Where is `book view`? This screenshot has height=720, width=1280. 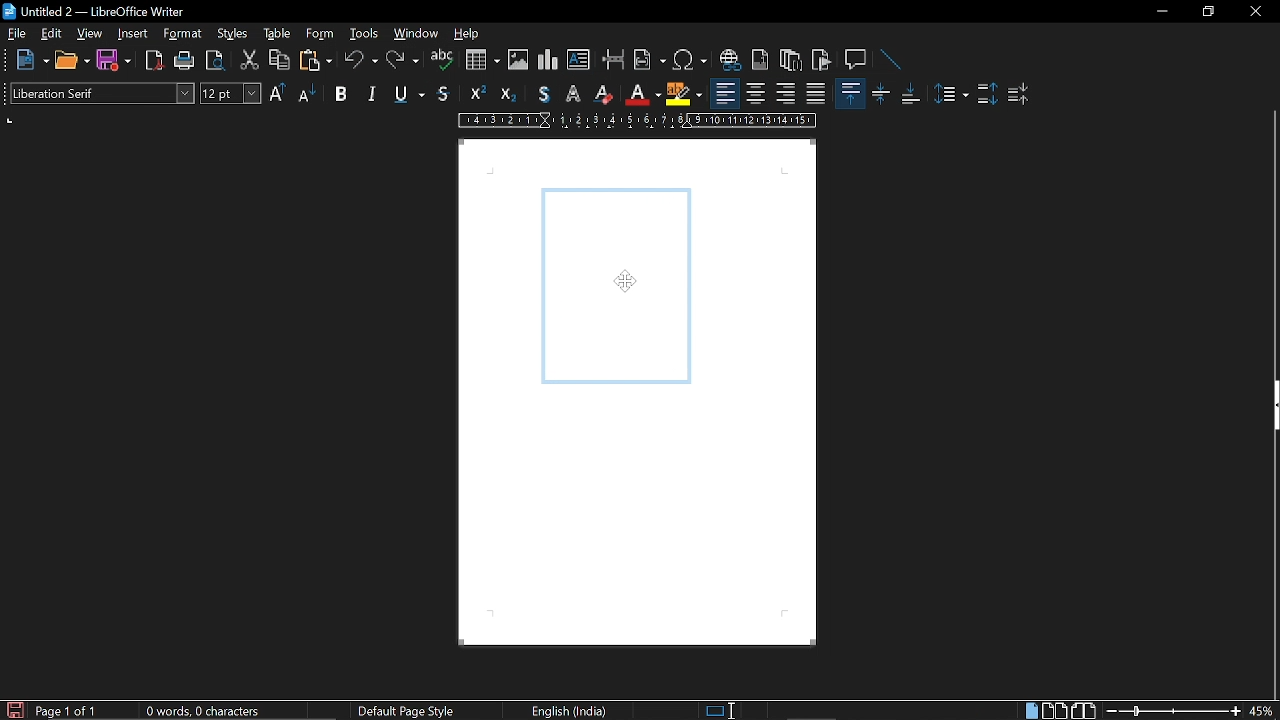
book view is located at coordinates (1084, 710).